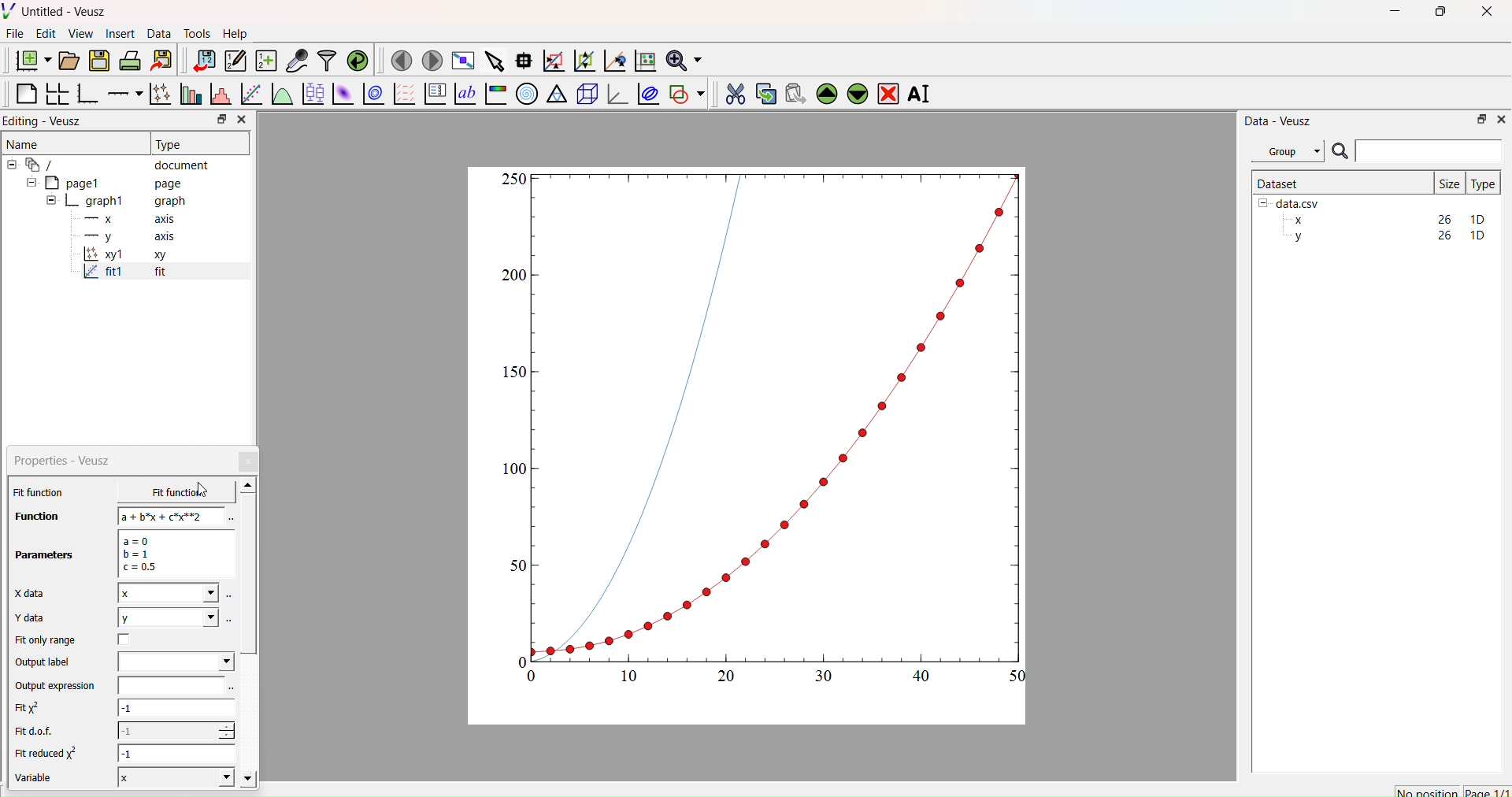 The width and height of the screenshot is (1512, 797). What do you see at coordinates (233, 33) in the screenshot?
I see `Help` at bounding box center [233, 33].